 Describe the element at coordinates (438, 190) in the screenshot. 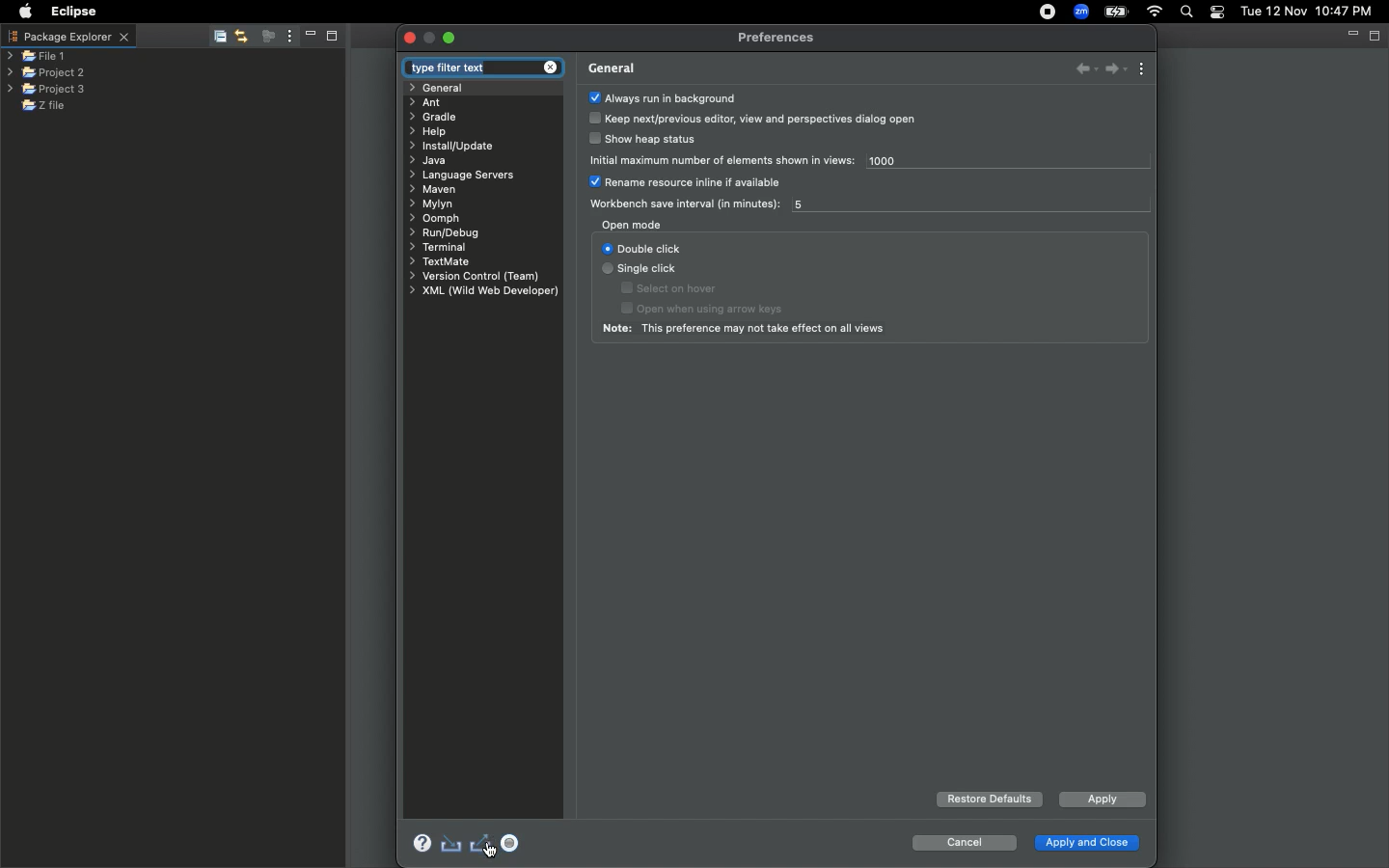

I see `Maven` at that location.